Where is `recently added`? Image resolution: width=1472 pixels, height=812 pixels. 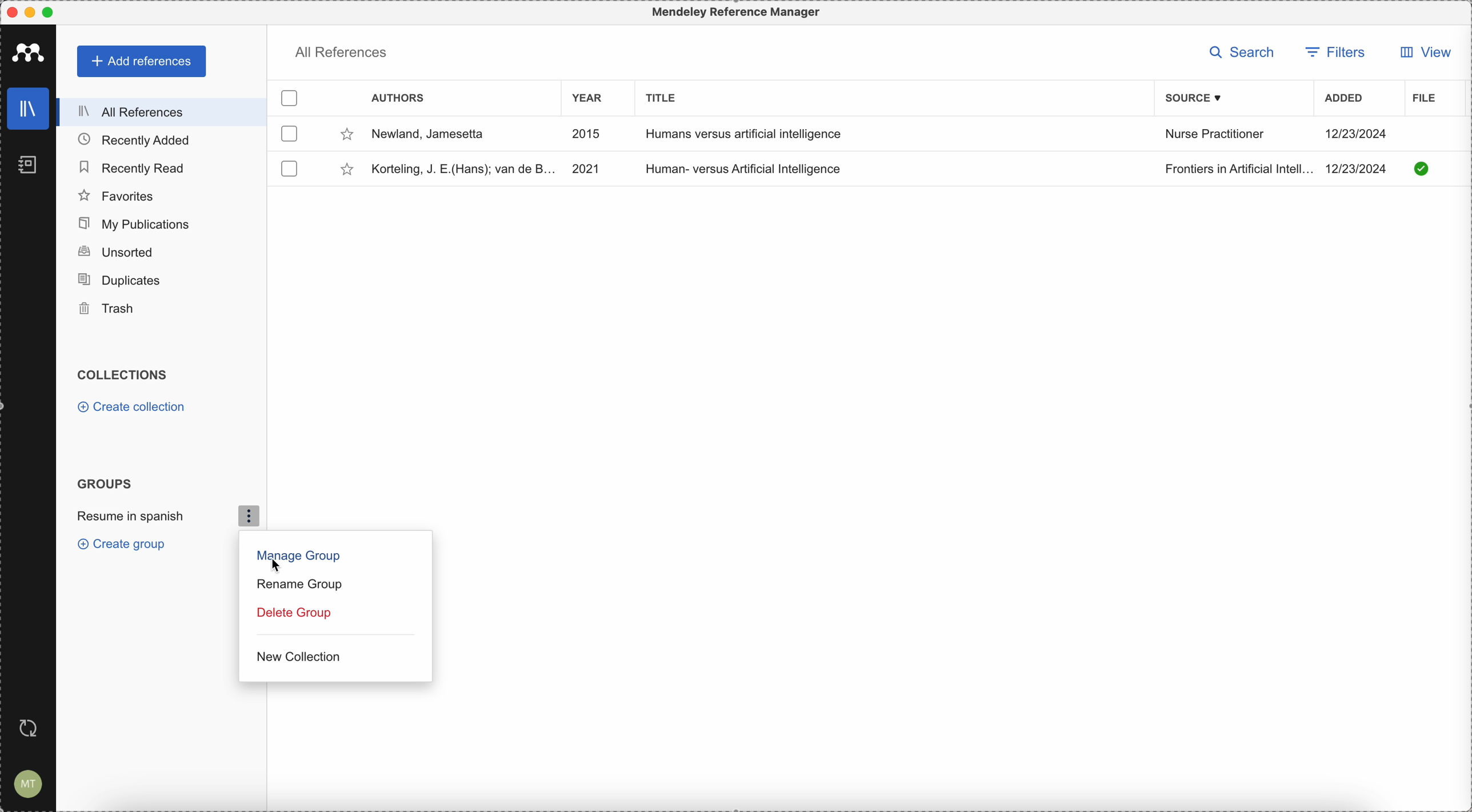 recently added is located at coordinates (134, 139).